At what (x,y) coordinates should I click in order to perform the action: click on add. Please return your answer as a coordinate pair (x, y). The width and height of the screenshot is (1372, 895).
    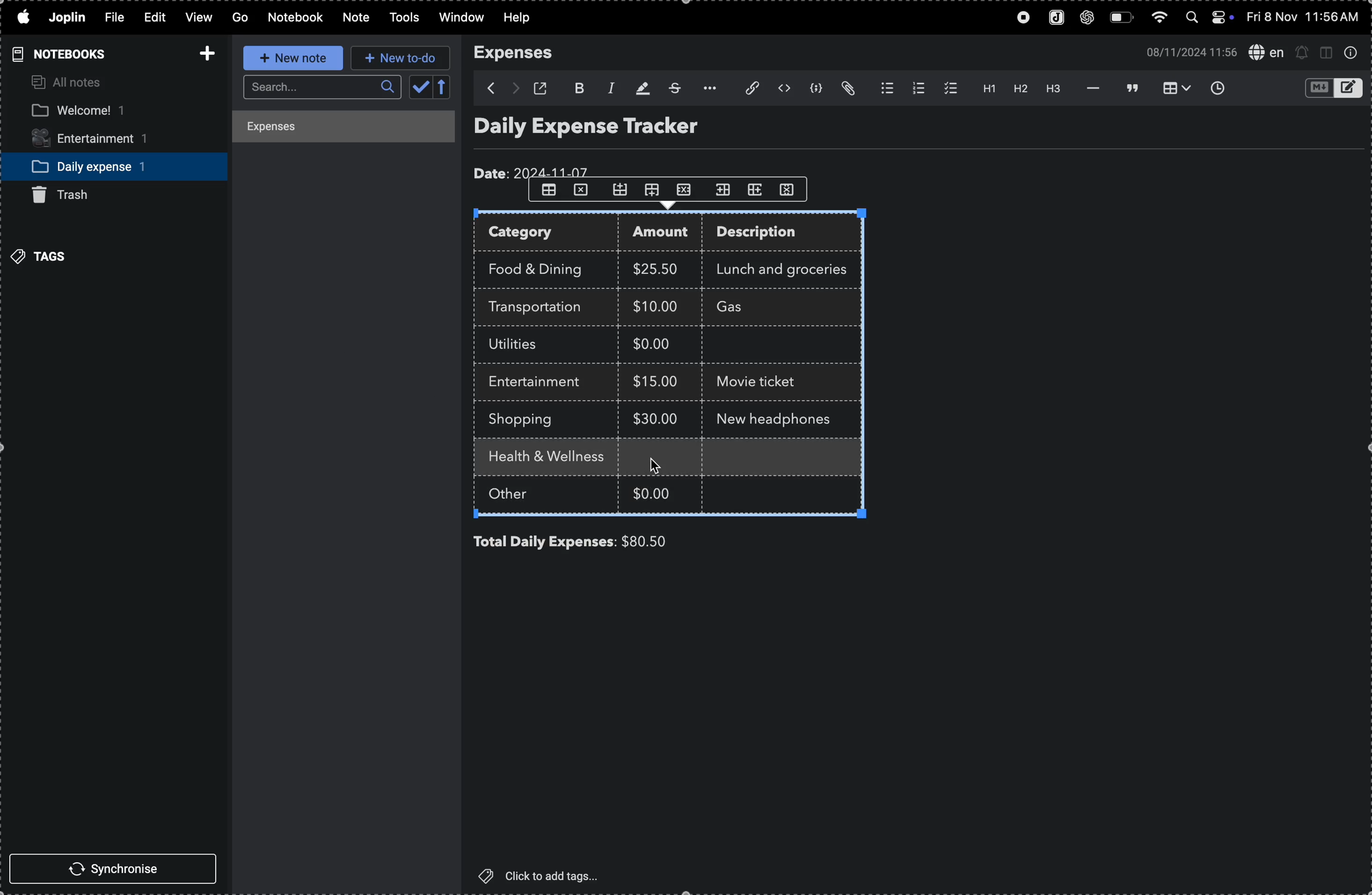
    Looking at the image, I should click on (203, 50).